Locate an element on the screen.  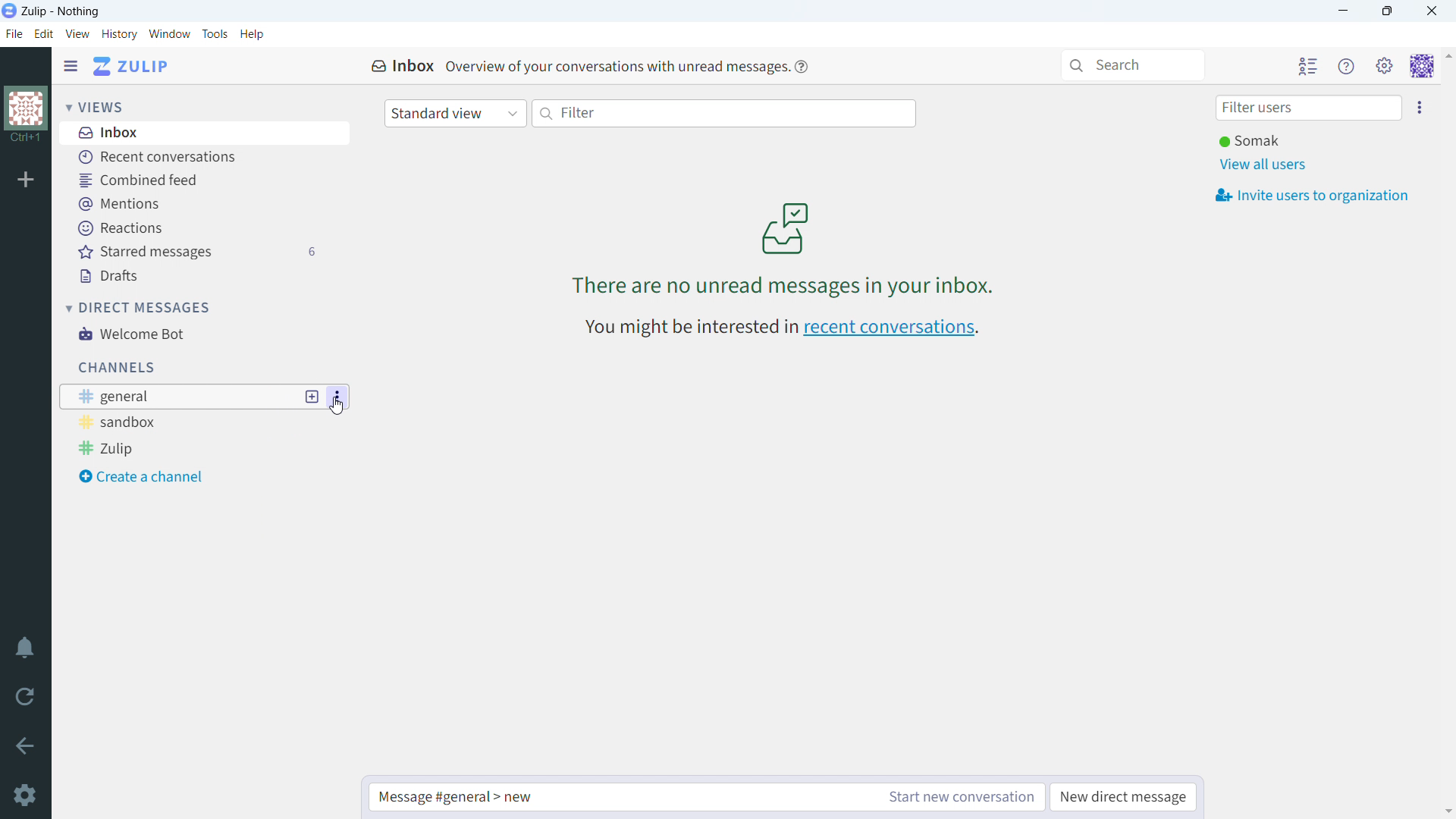
close is located at coordinates (1431, 11).